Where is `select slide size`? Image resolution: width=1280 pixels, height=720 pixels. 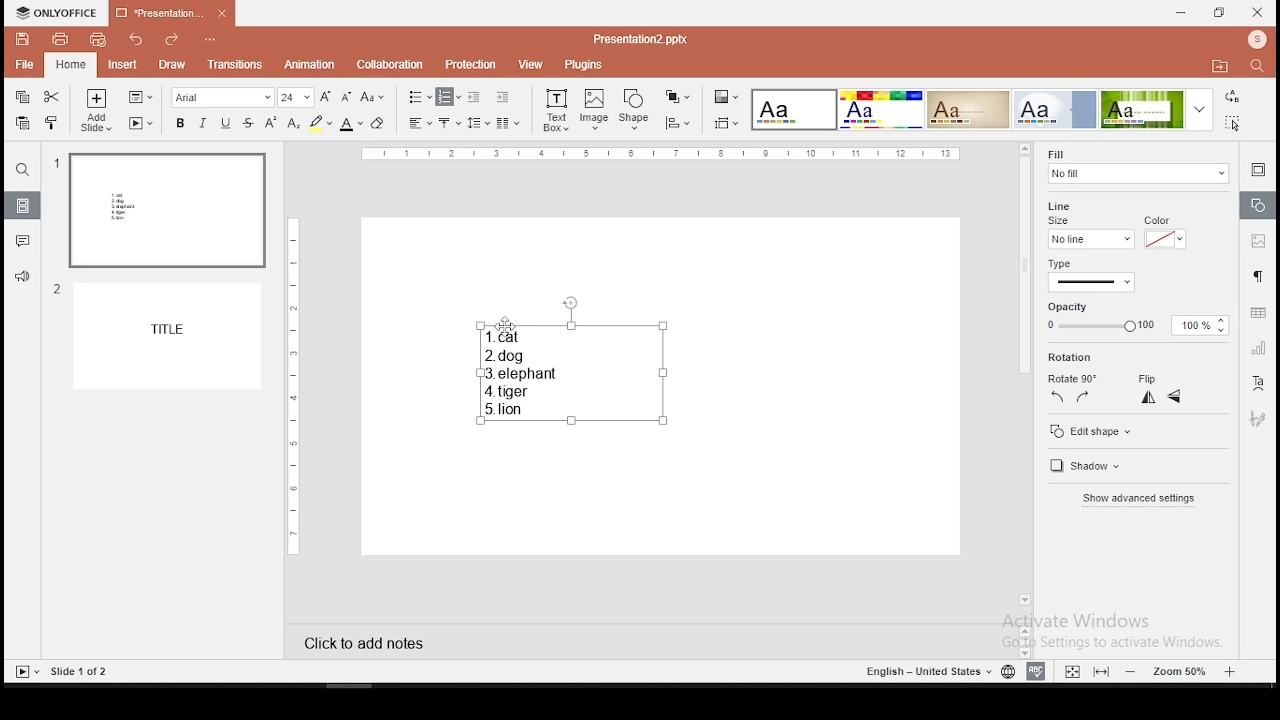
select slide size is located at coordinates (727, 122).